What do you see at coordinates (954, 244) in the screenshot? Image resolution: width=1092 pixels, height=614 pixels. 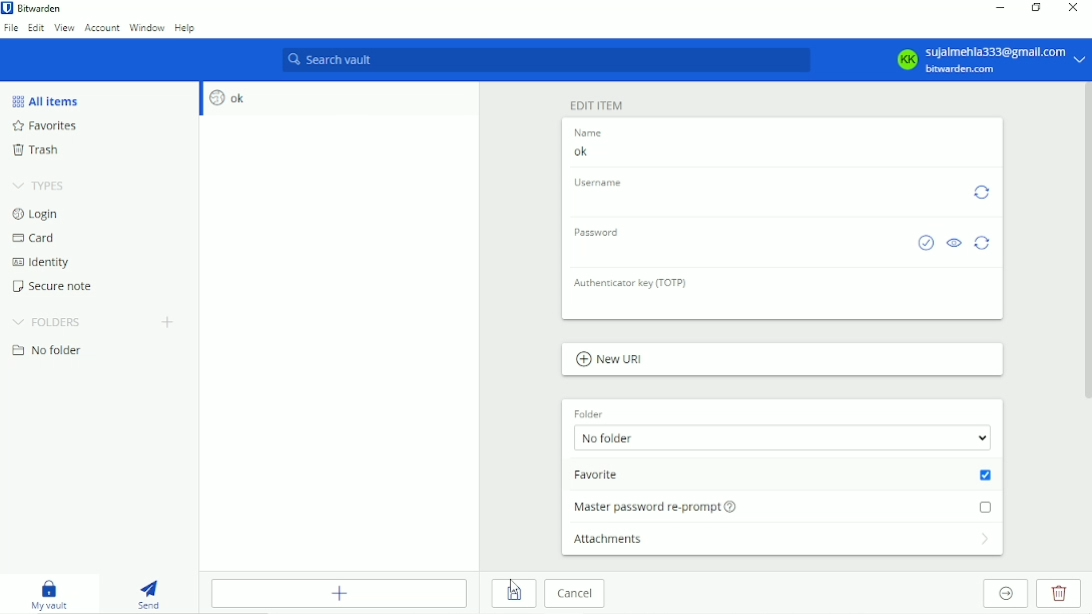 I see `Toggle visibility` at bounding box center [954, 244].